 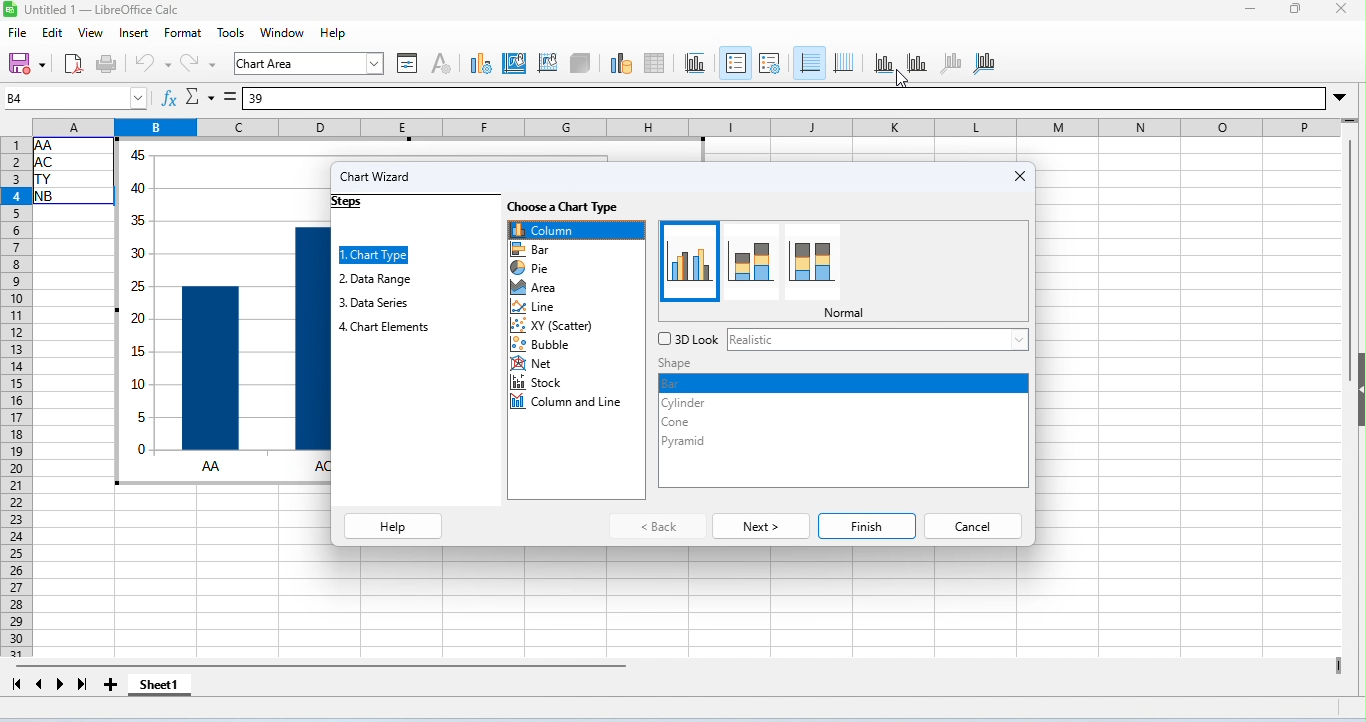 What do you see at coordinates (1347, 263) in the screenshot?
I see `vertical scroll bar` at bounding box center [1347, 263].